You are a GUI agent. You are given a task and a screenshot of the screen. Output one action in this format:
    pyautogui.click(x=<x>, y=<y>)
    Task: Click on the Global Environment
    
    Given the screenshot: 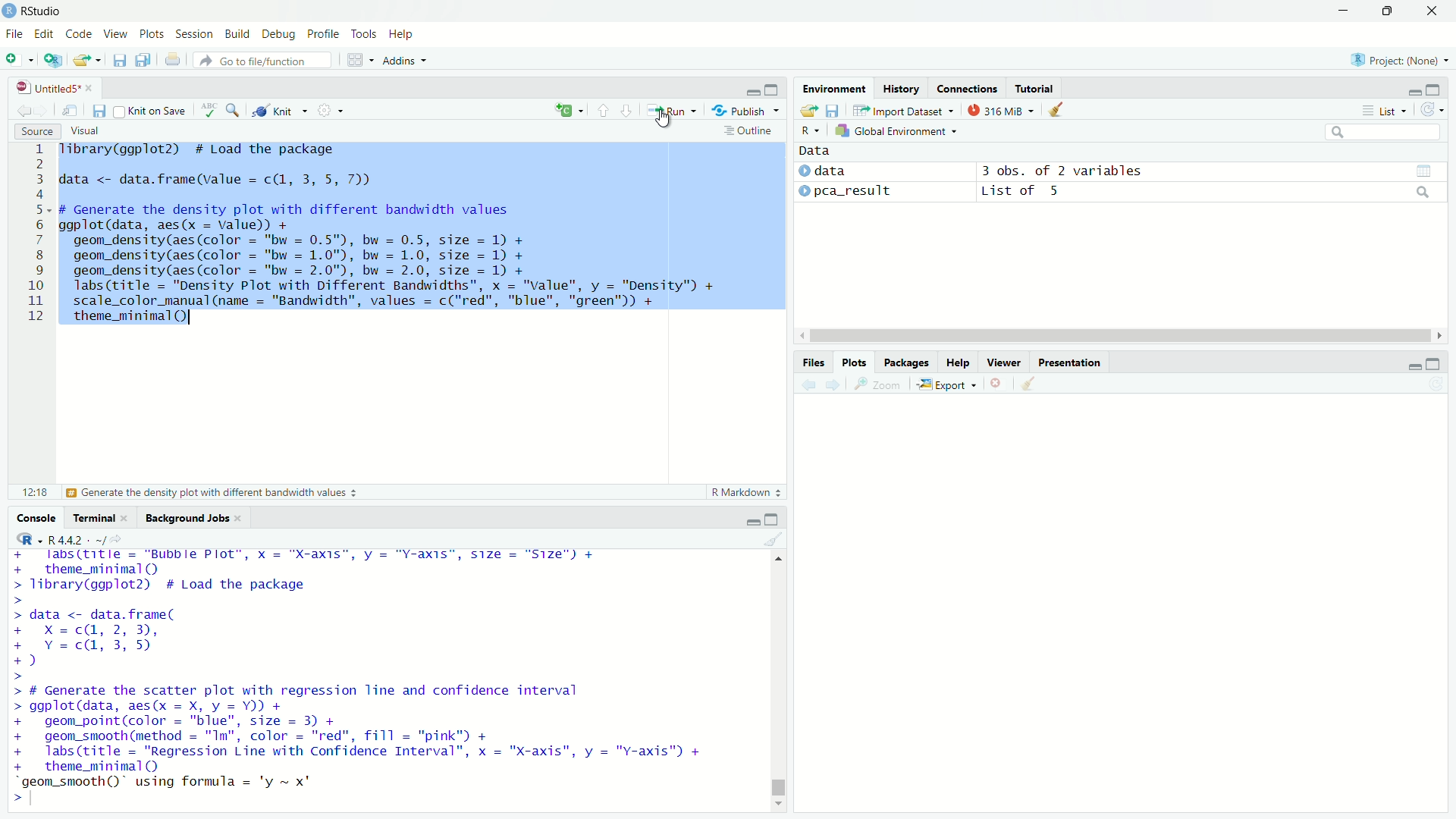 What is the action you would take?
    pyautogui.click(x=897, y=130)
    